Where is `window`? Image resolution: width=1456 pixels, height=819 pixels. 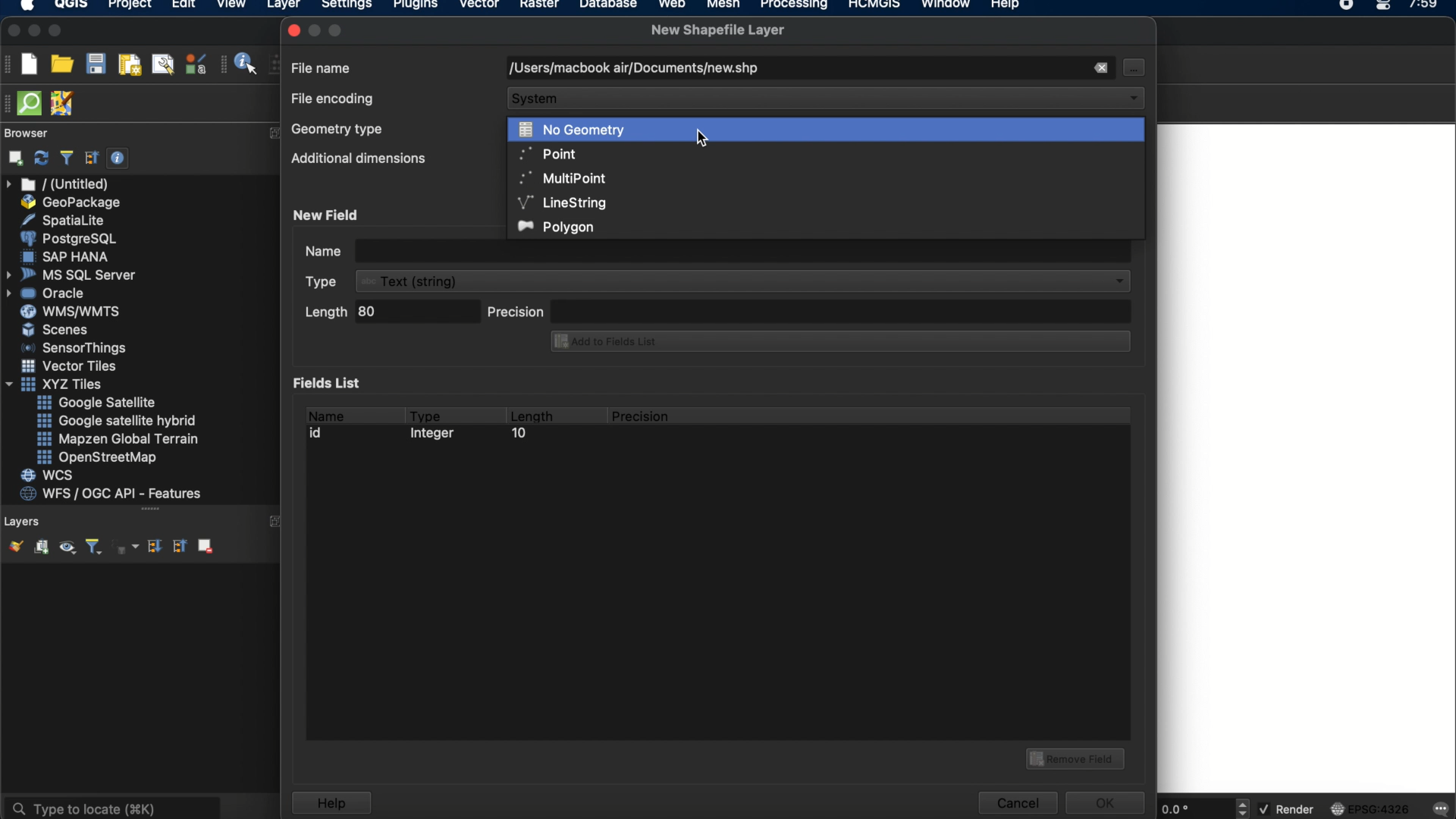 window is located at coordinates (949, 6).